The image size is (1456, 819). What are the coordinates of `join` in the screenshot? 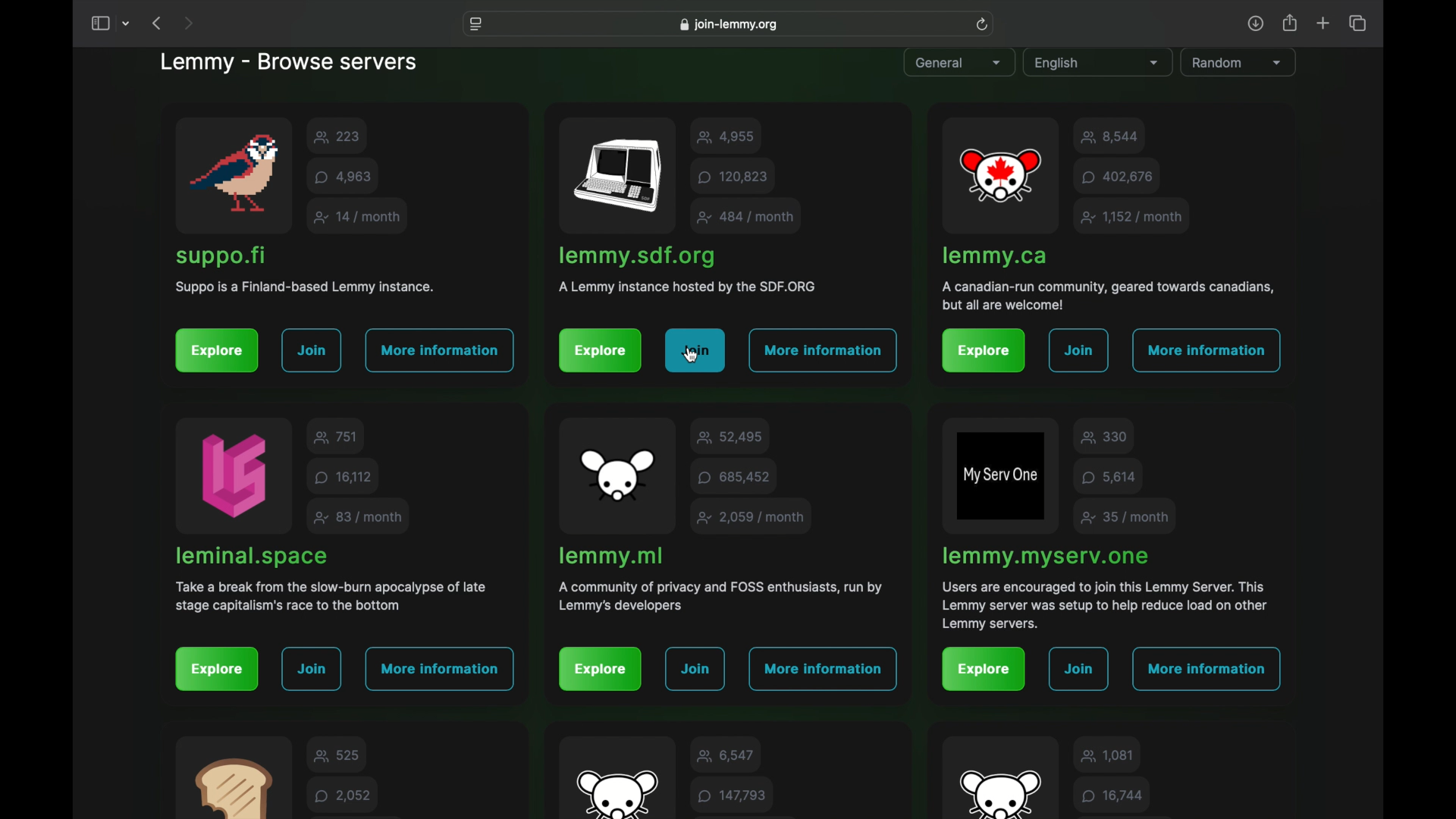 It's located at (313, 670).